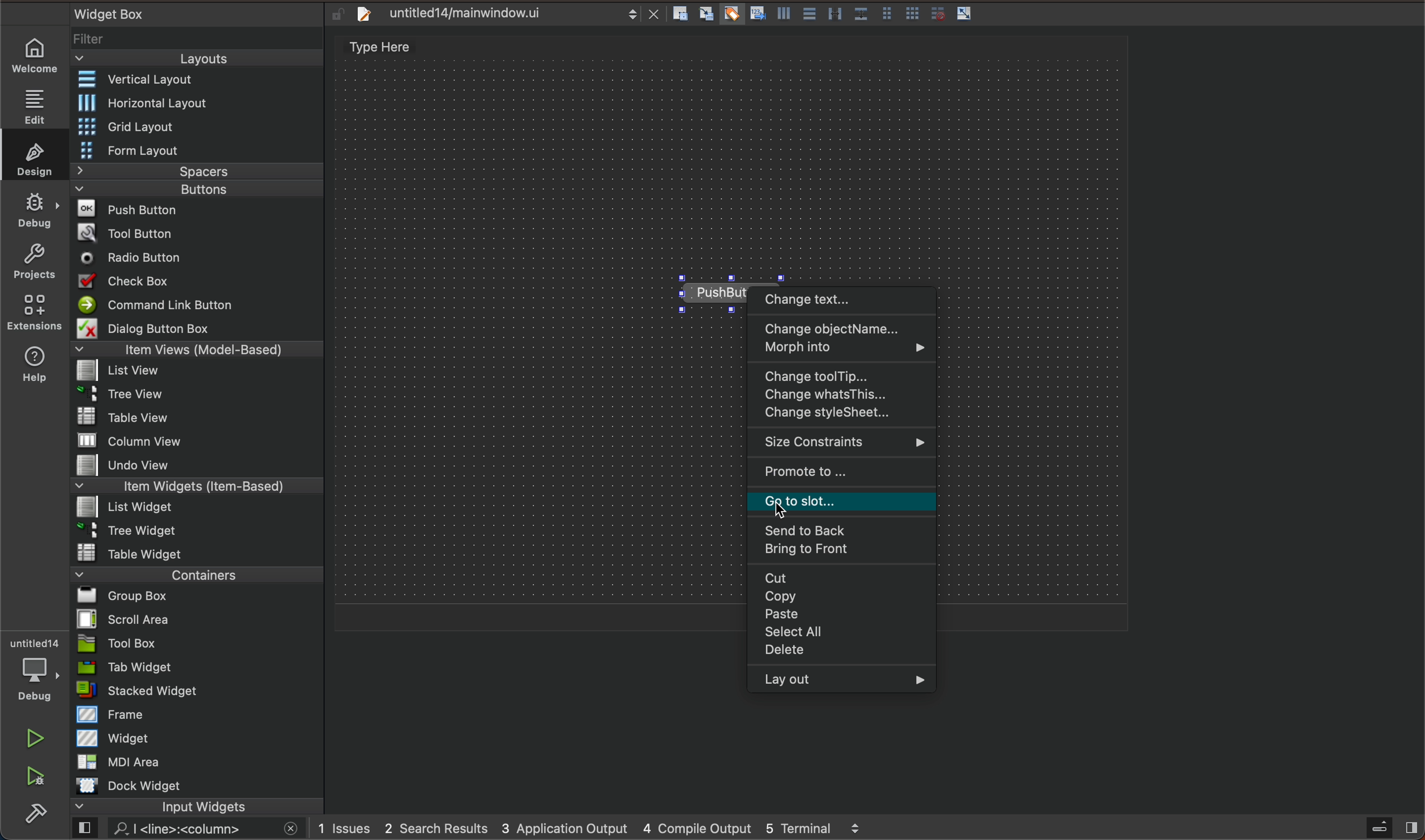  Describe the element at coordinates (200, 741) in the screenshot. I see `widget` at that location.